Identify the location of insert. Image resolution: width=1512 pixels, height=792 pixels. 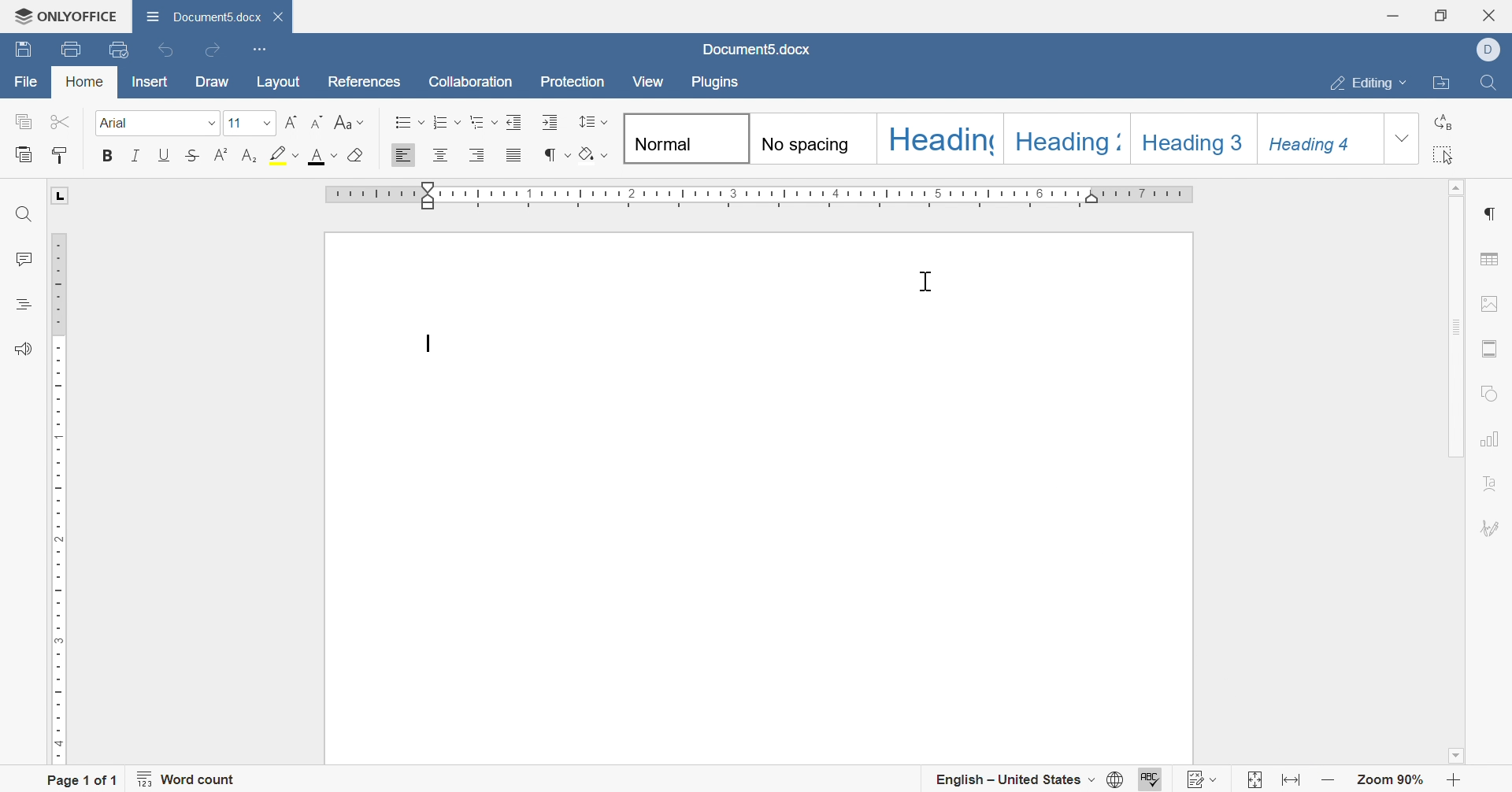
(150, 82).